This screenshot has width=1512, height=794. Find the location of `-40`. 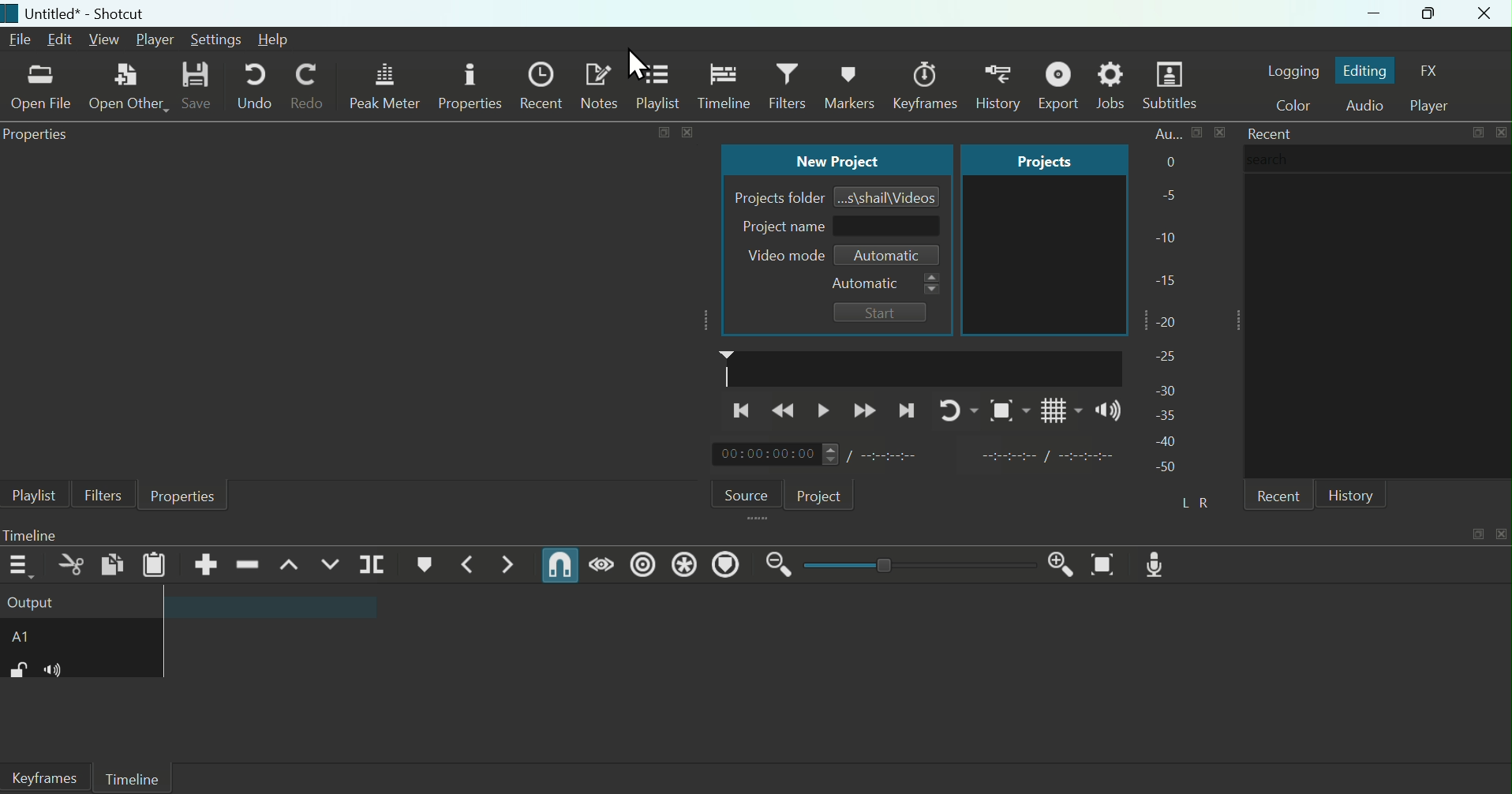

-40 is located at coordinates (1167, 441).